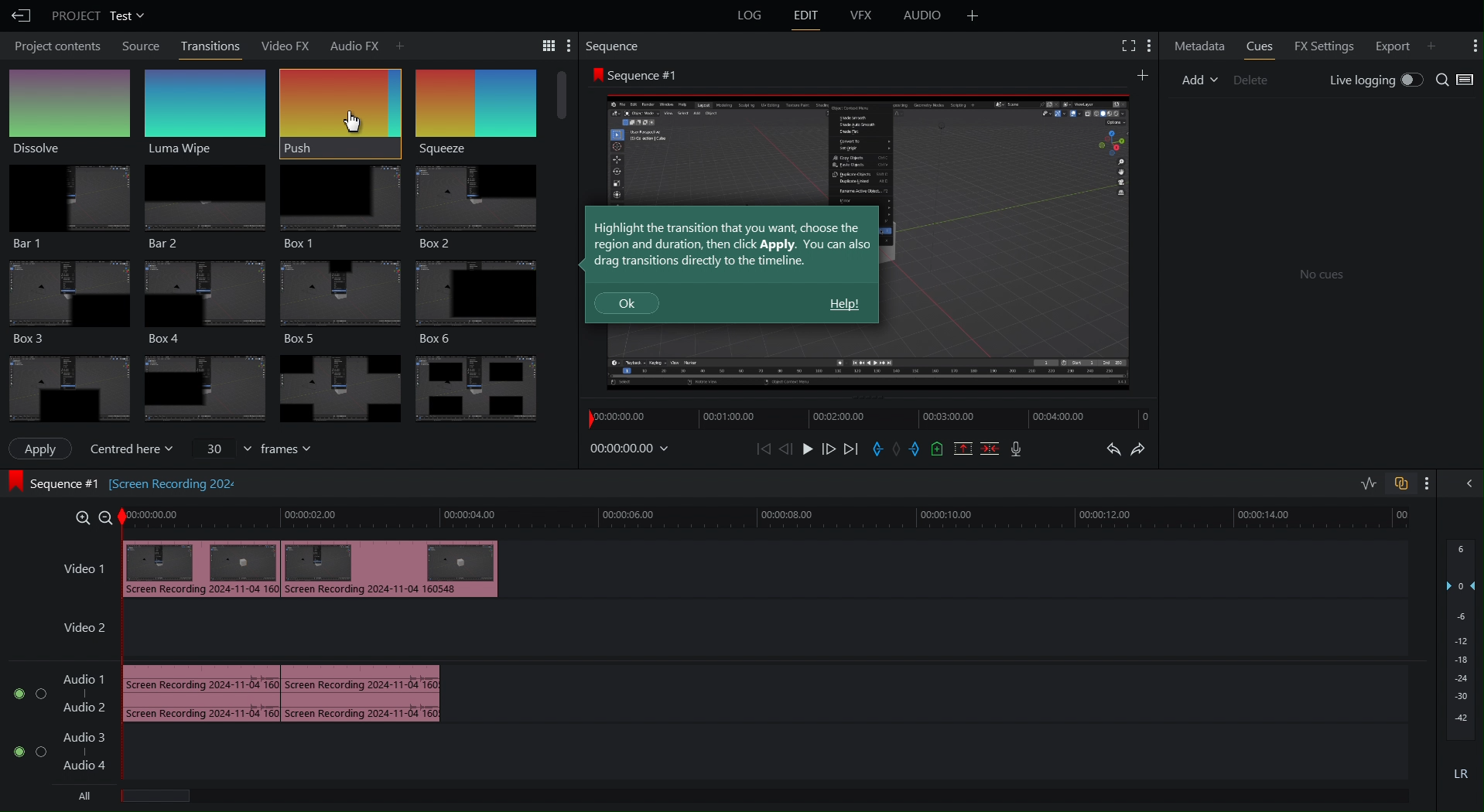 This screenshot has height=812, width=1484. What do you see at coordinates (293, 449) in the screenshot?
I see `frames` at bounding box center [293, 449].